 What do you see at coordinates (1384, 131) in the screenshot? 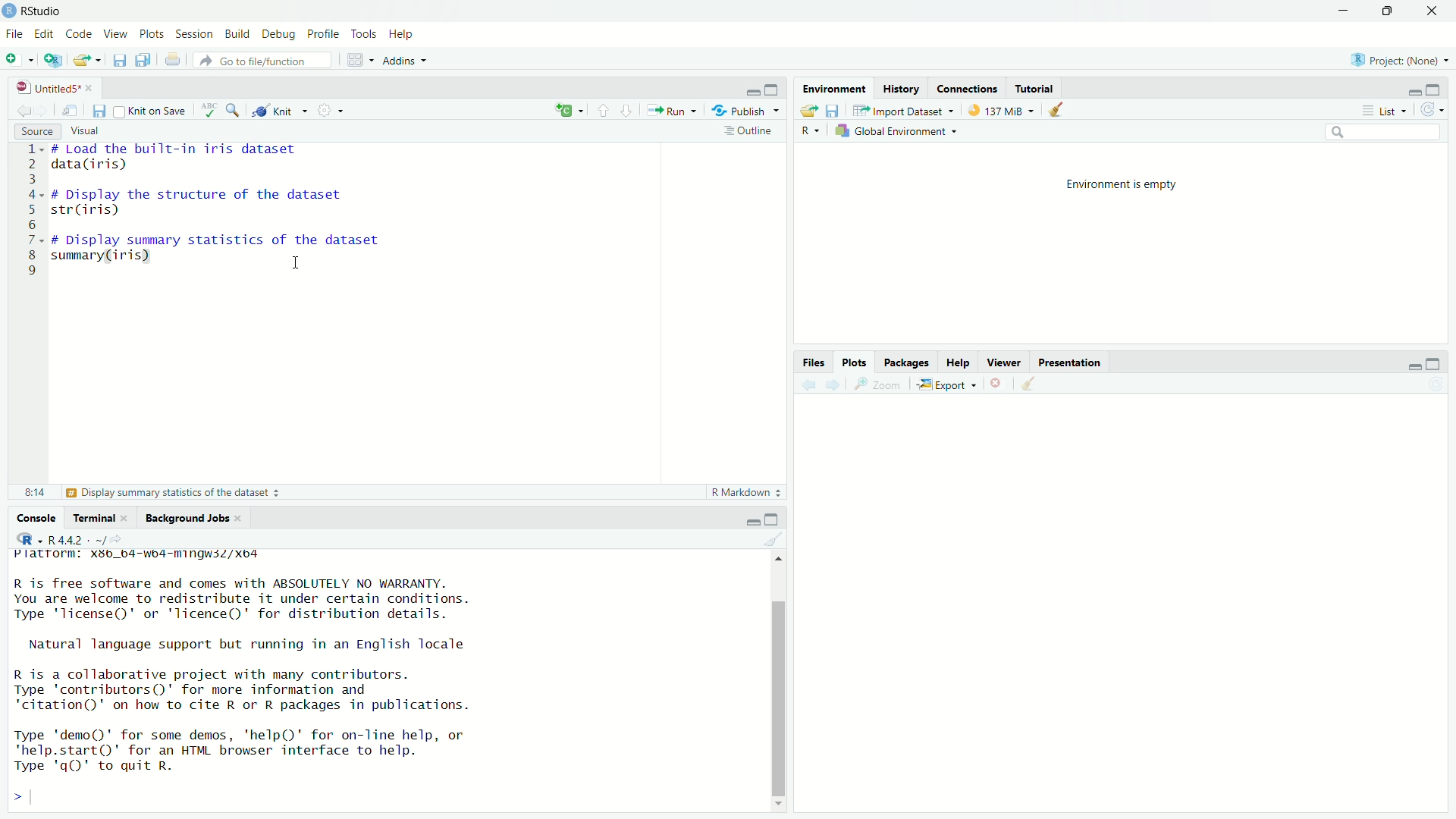
I see `Search` at bounding box center [1384, 131].